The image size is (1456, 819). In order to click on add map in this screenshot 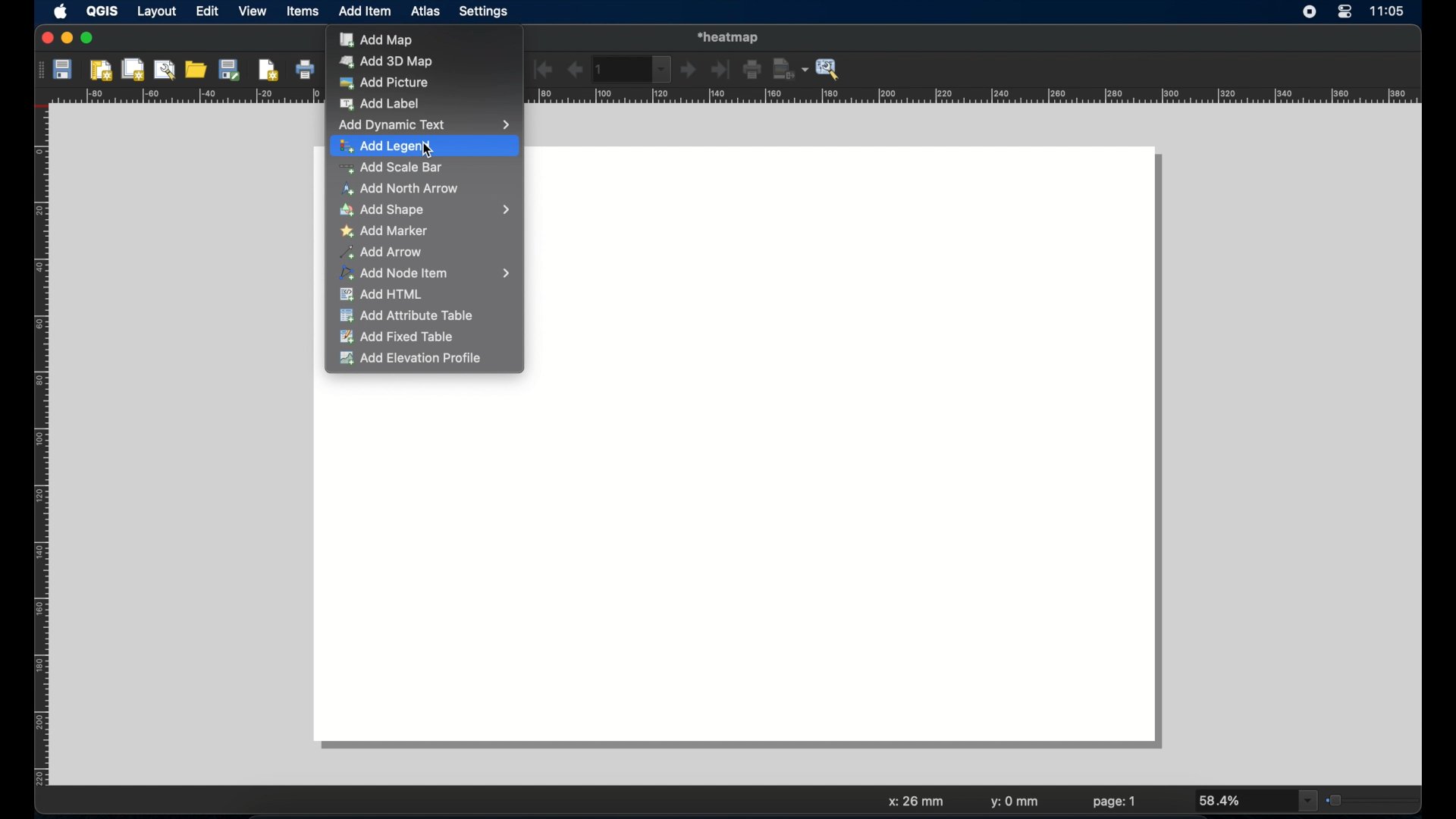, I will do `click(377, 39)`.